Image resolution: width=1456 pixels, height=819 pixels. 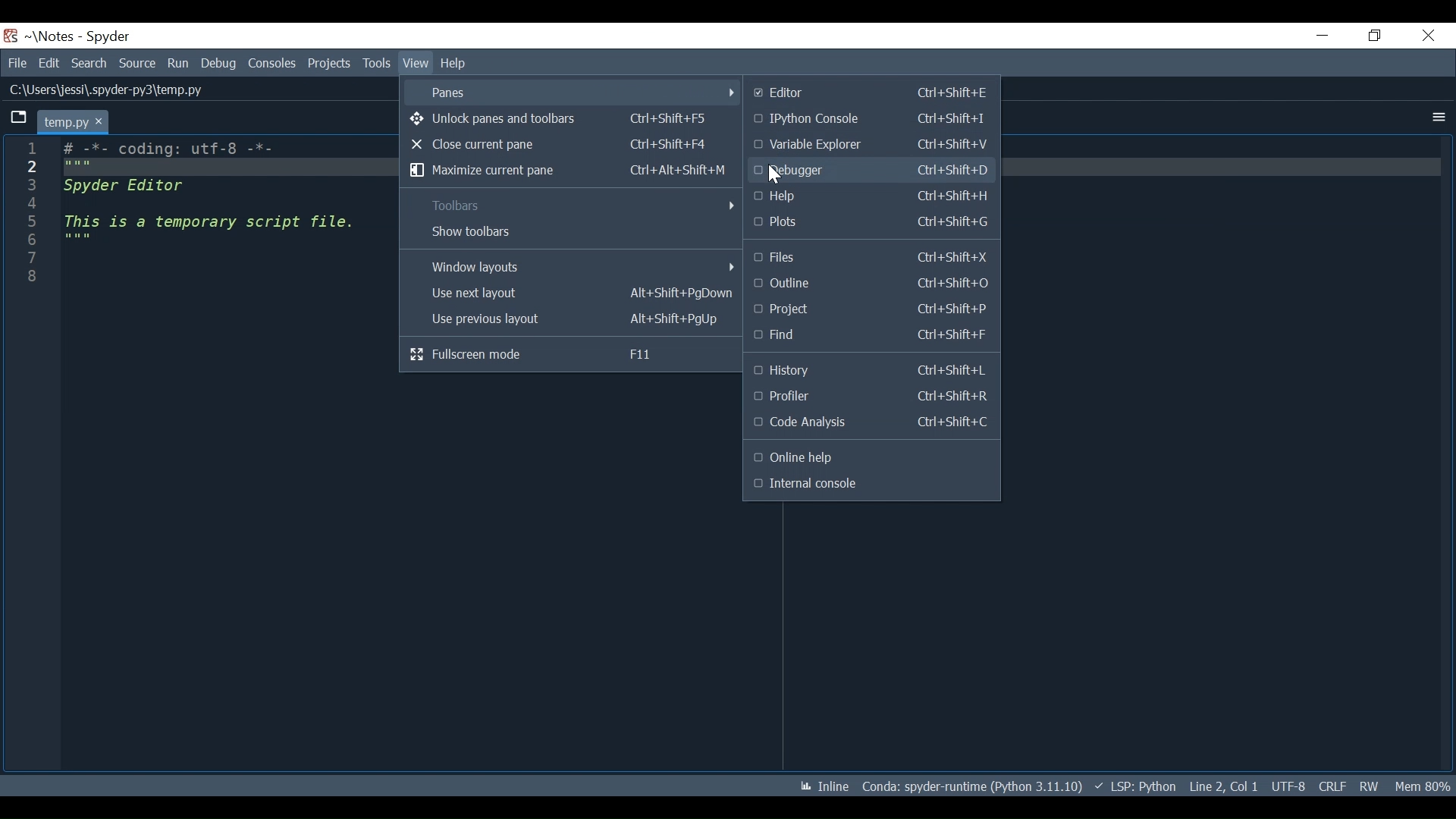 What do you see at coordinates (414, 64) in the screenshot?
I see `Help` at bounding box center [414, 64].